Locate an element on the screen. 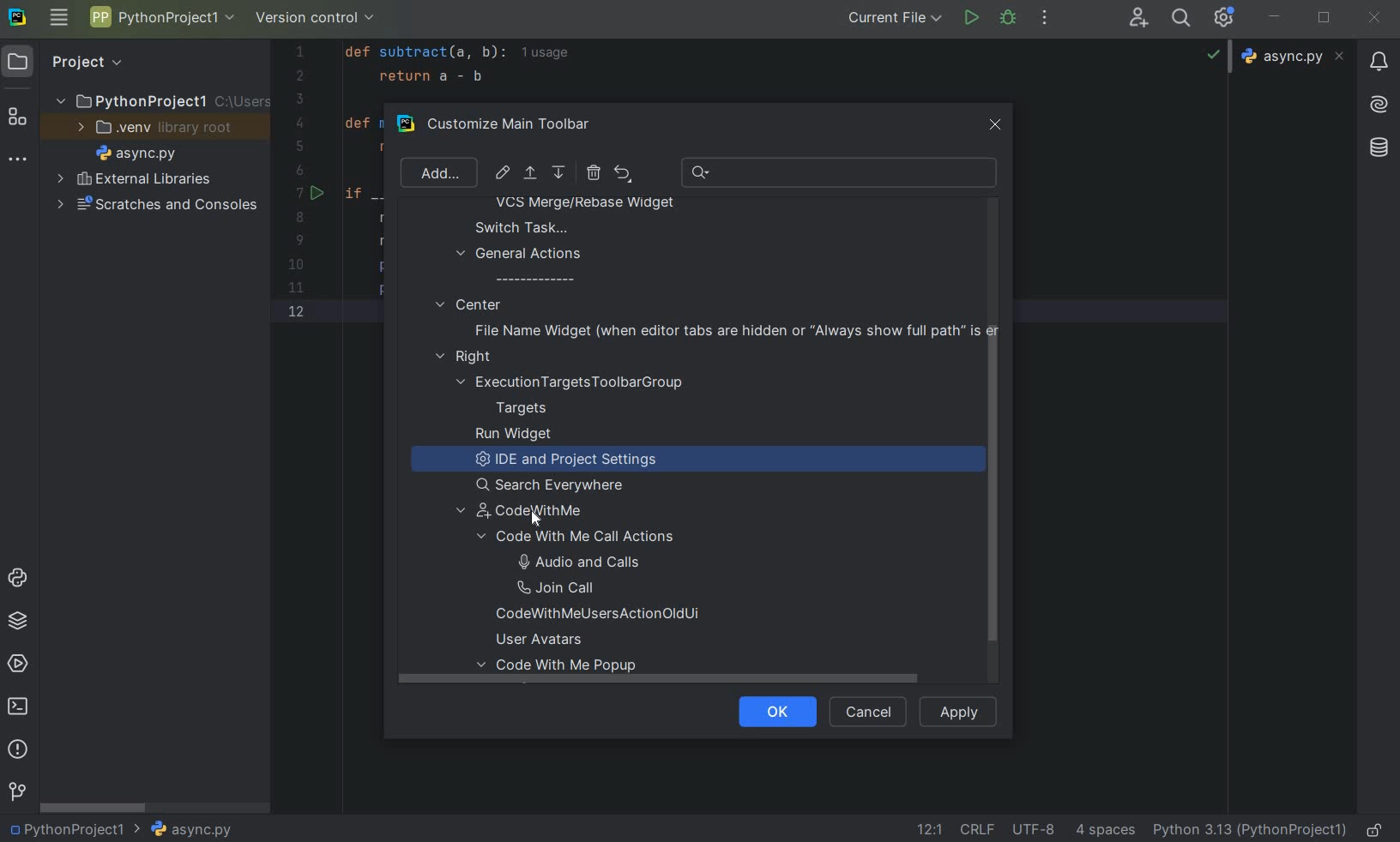  PROJECT is located at coordinates (73, 62).